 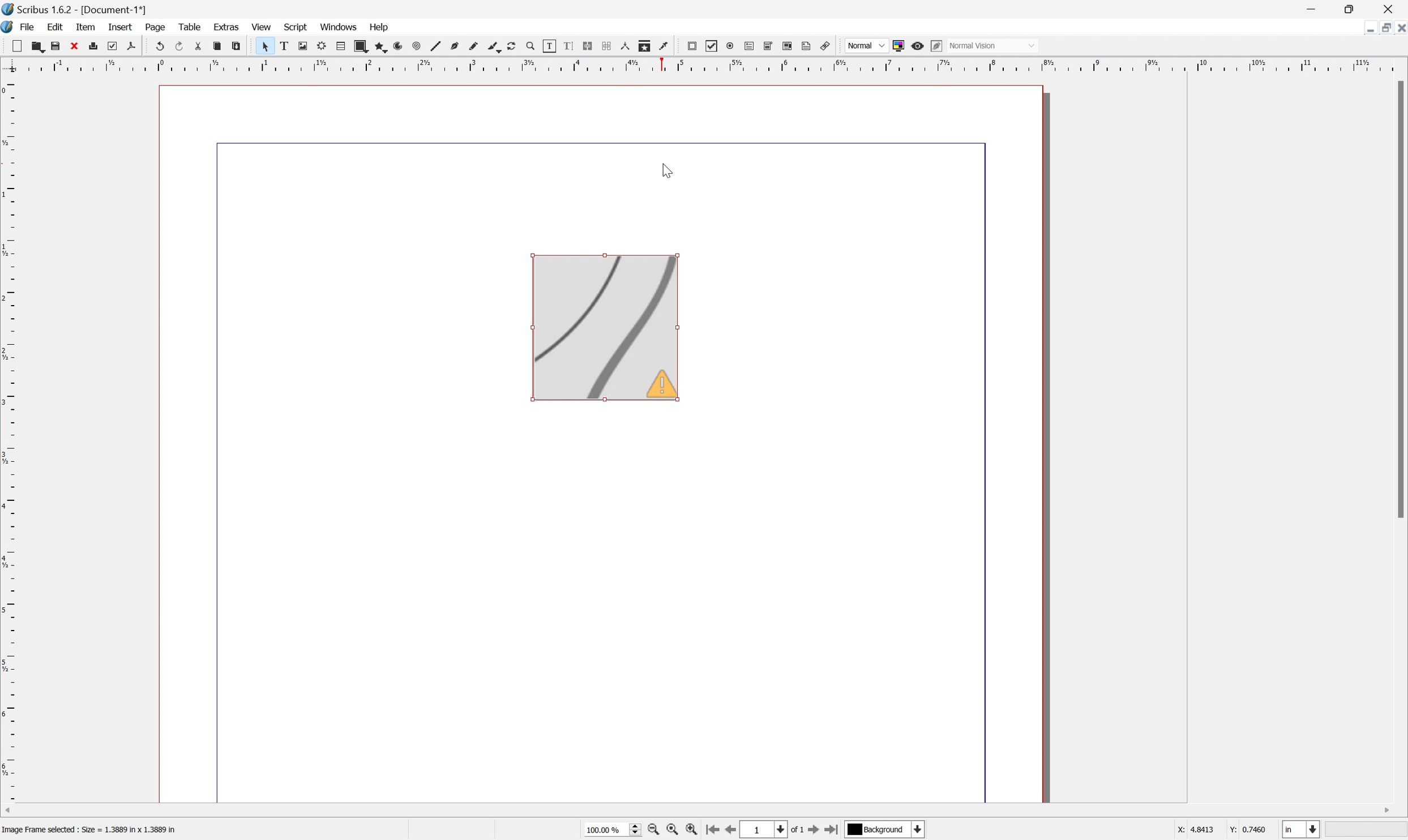 I want to click on Link annotation, so click(x=823, y=46).